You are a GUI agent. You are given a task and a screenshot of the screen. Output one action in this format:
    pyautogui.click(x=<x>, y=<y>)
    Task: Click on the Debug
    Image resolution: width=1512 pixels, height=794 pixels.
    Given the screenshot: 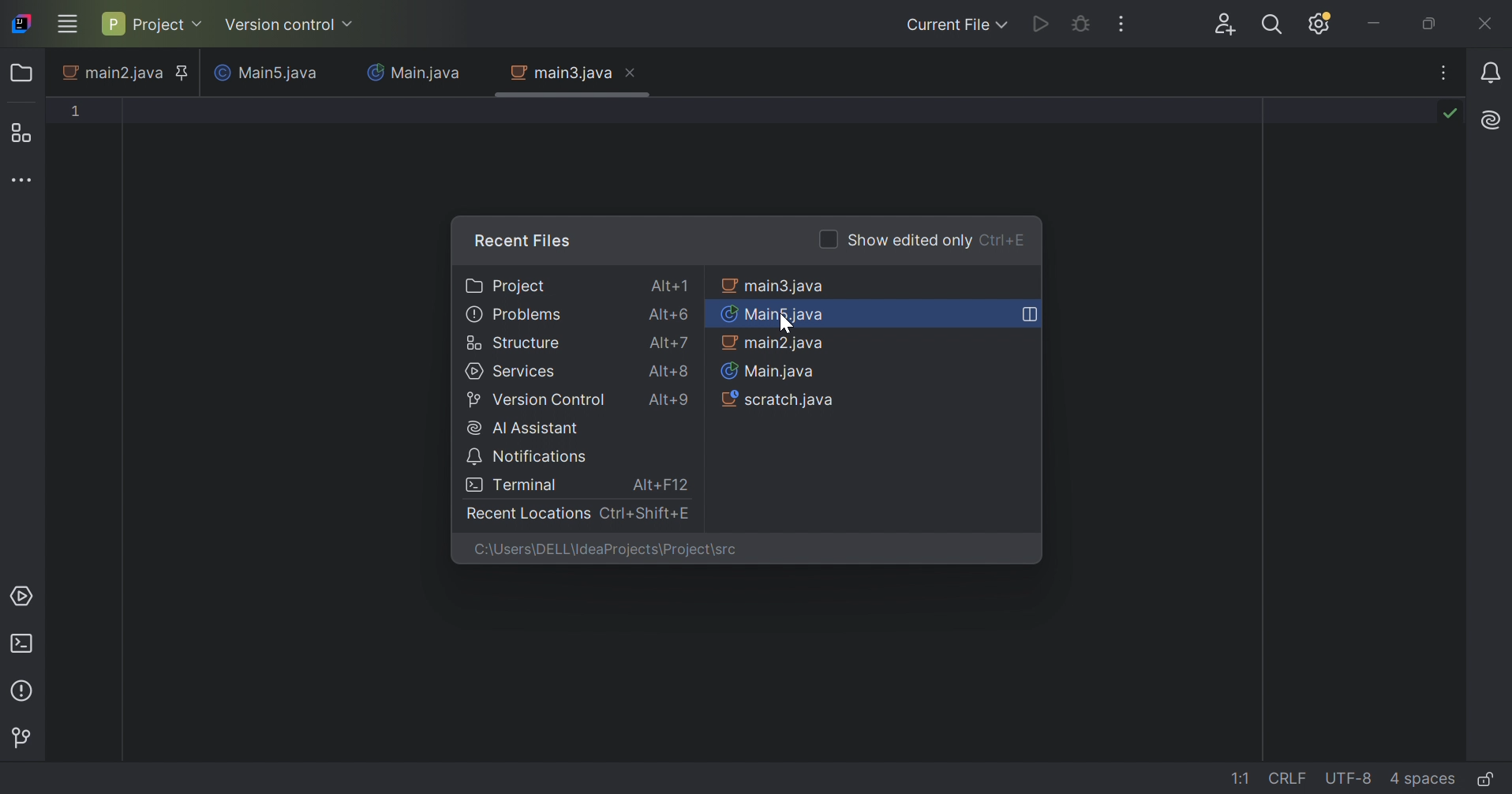 What is the action you would take?
    pyautogui.click(x=1080, y=24)
    